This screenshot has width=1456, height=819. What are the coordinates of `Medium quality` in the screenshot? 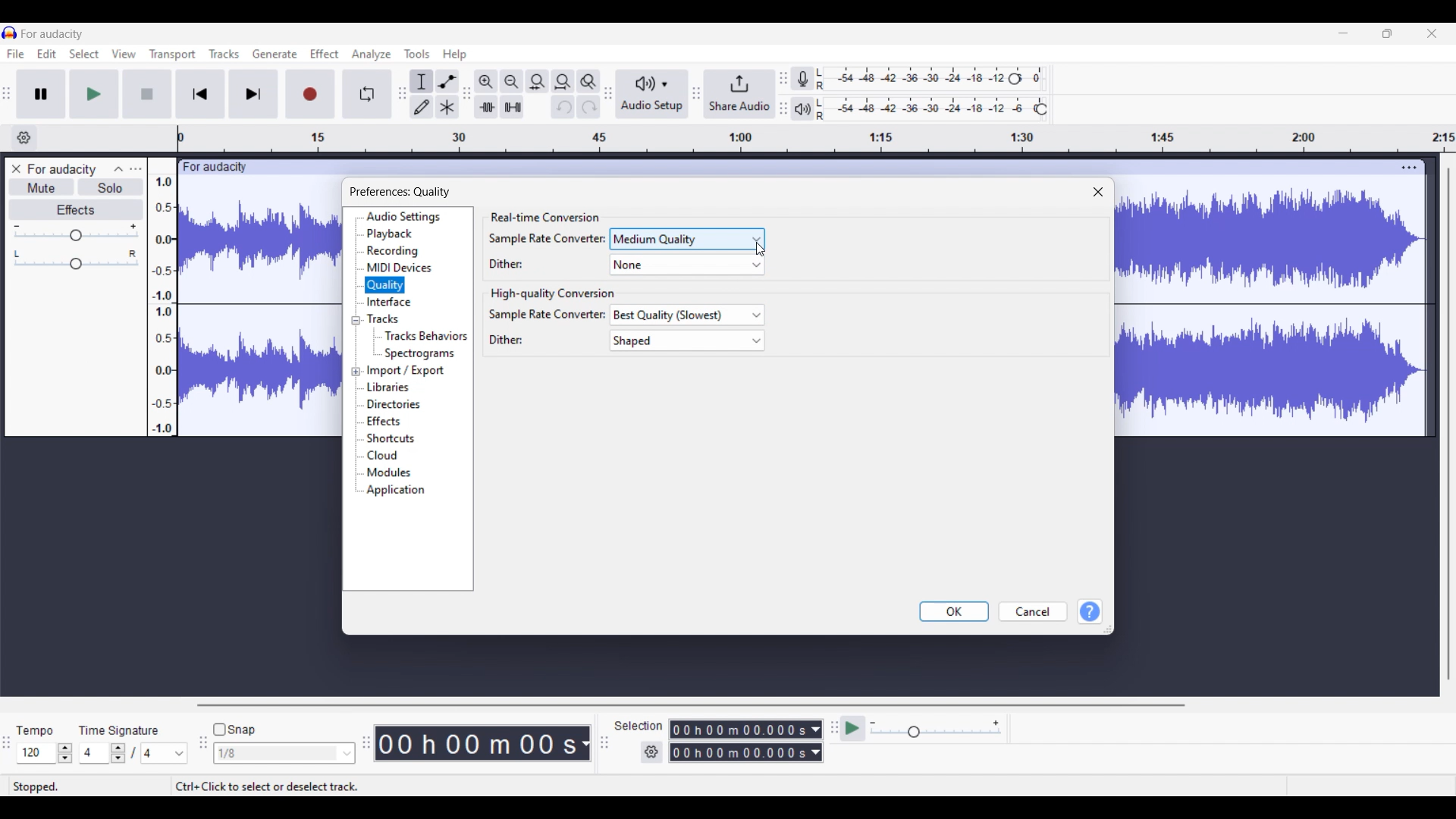 It's located at (688, 239).